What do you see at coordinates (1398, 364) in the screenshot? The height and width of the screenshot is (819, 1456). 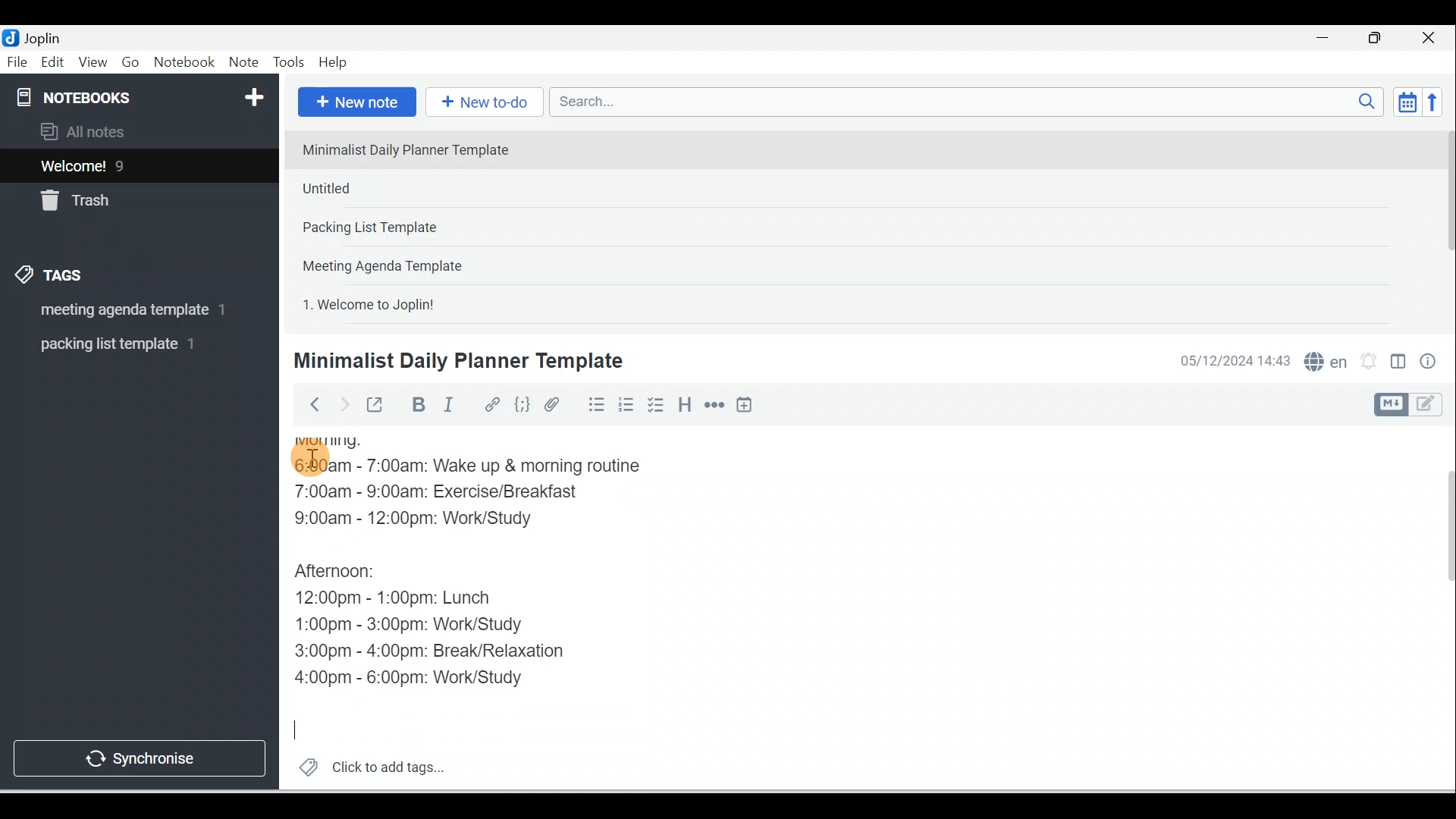 I see `Toggle editors` at bounding box center [1398, 364].